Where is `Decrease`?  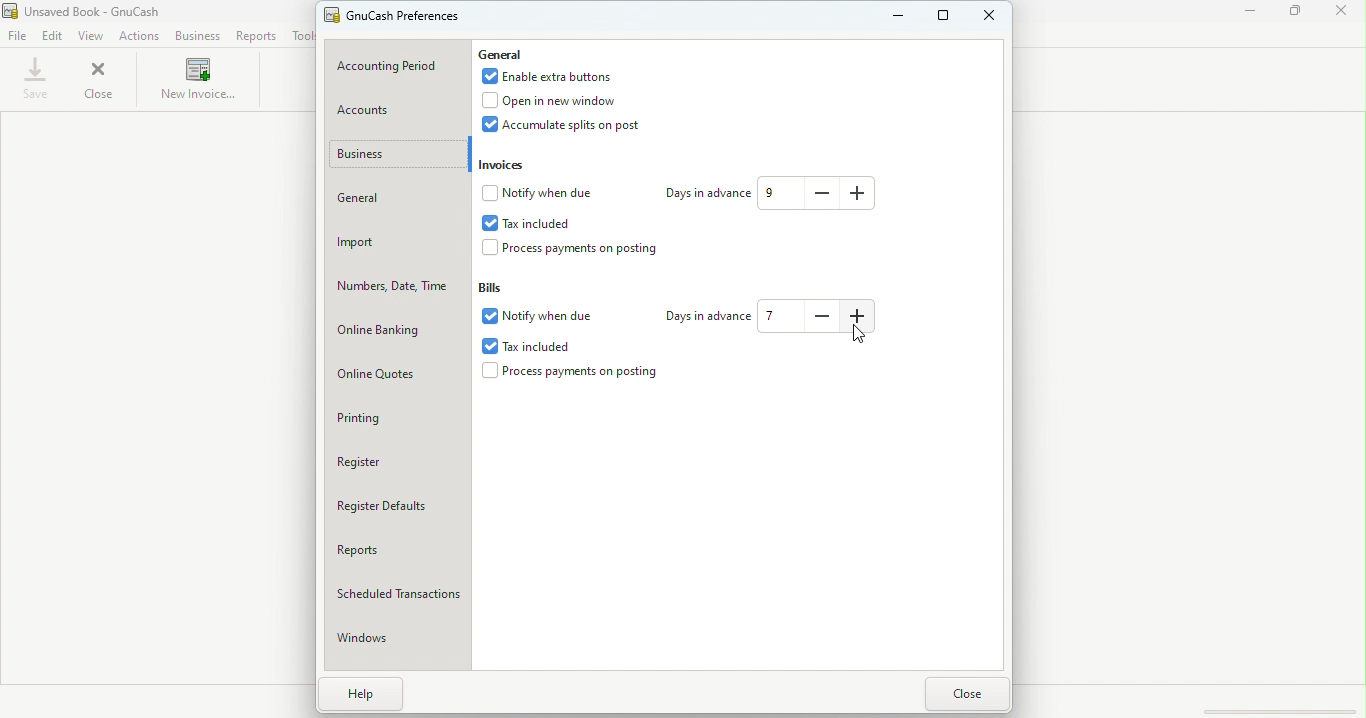 Decrease is located at coordinates (827, 320).